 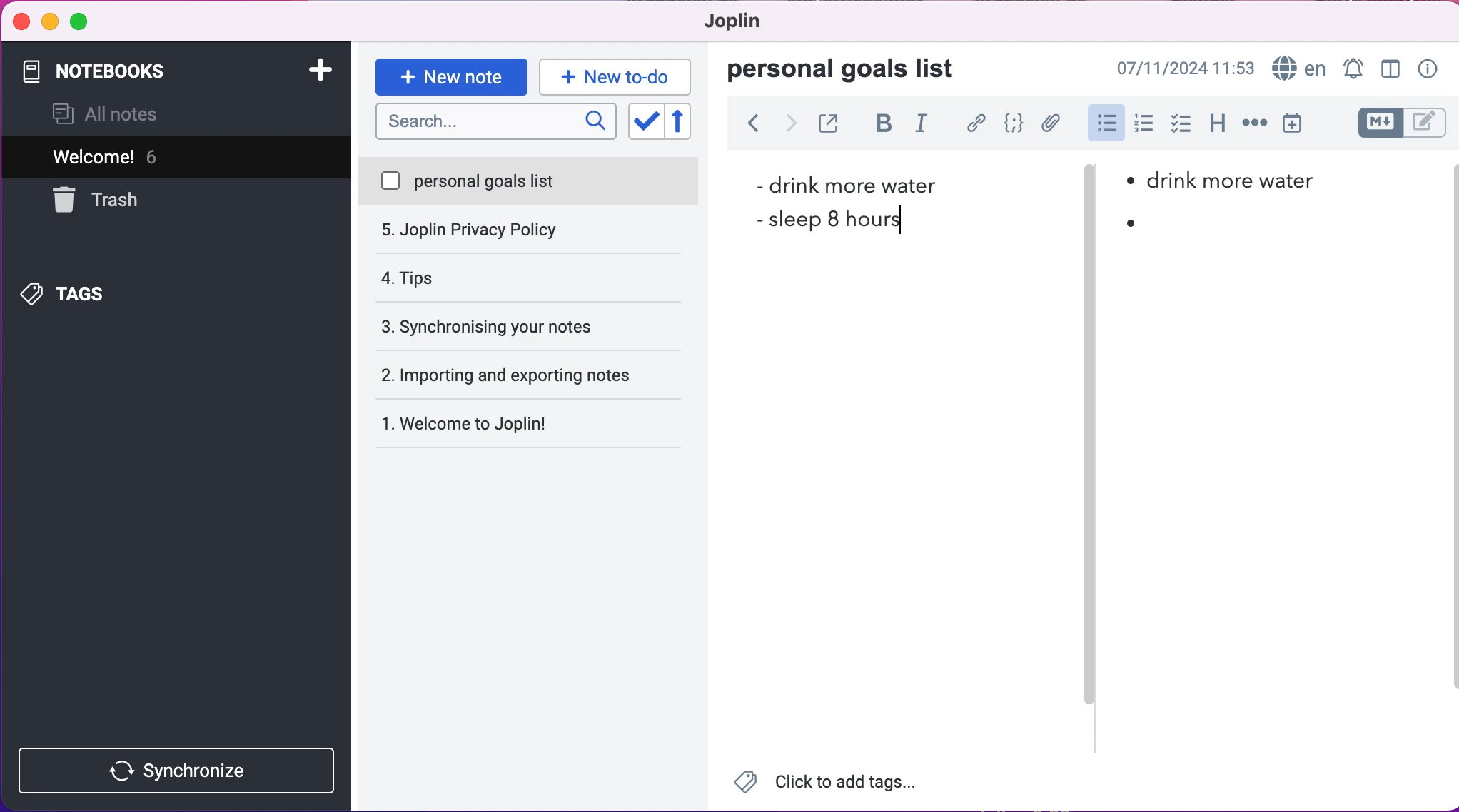 What do you see at coordinates (1105, 123) in the screenshot?
I see `bulleted lists` at bounding box center [1105, 123].